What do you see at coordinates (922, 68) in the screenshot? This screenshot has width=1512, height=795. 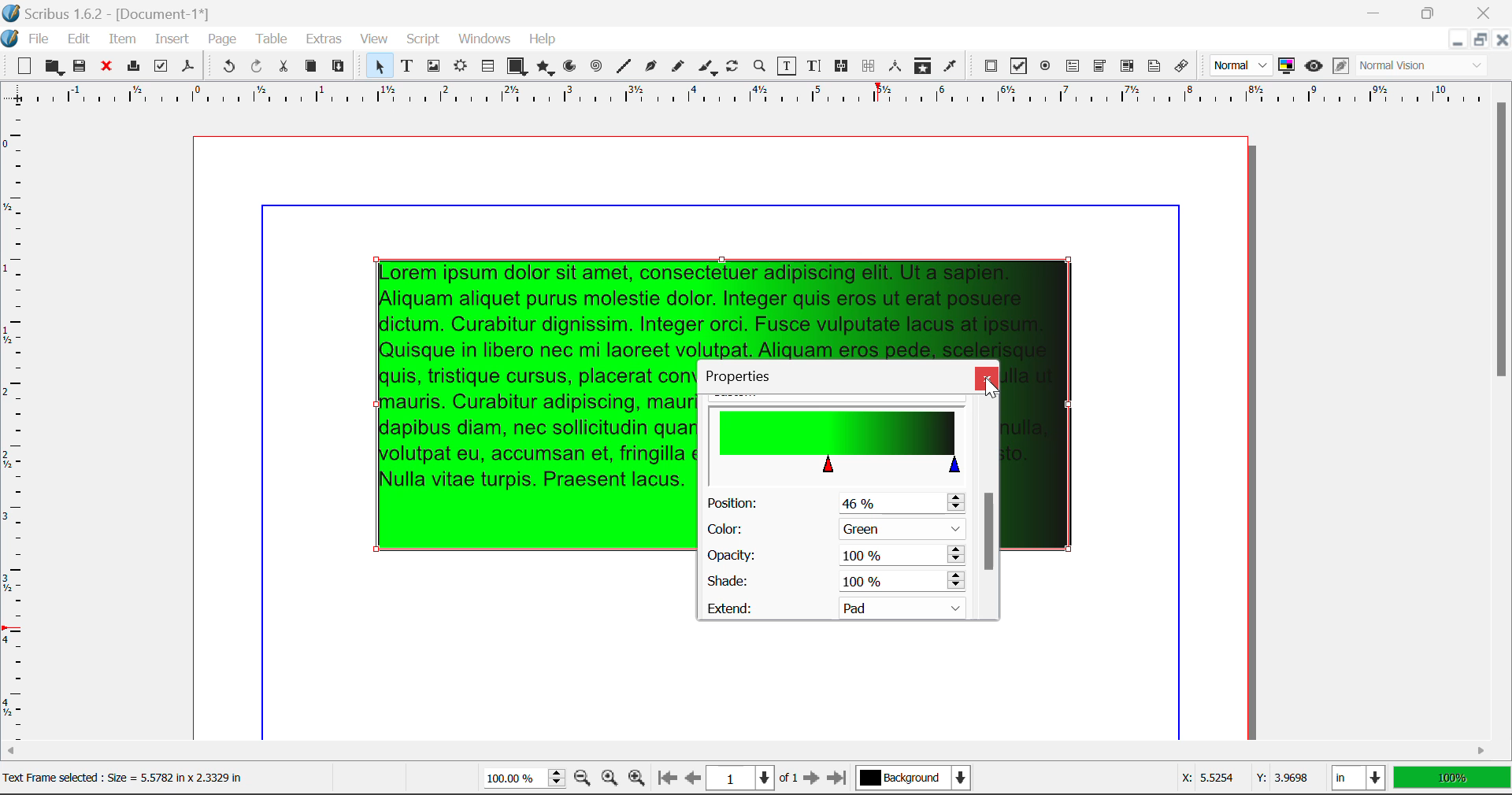 I see `Copy Item Properties` at bounding box center [922, 68].